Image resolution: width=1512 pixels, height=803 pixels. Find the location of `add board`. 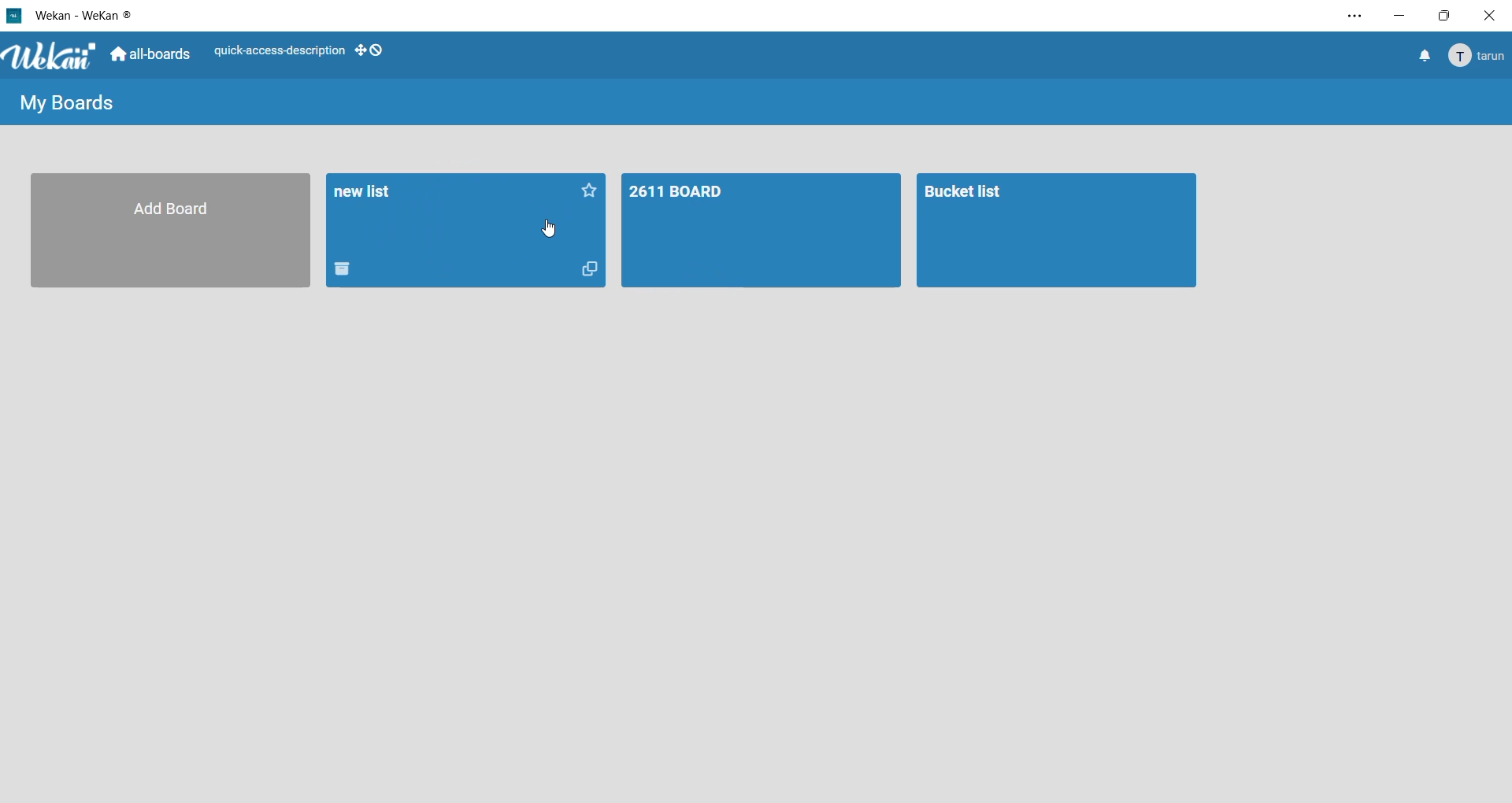

add board is located at coordinates (166, 233).